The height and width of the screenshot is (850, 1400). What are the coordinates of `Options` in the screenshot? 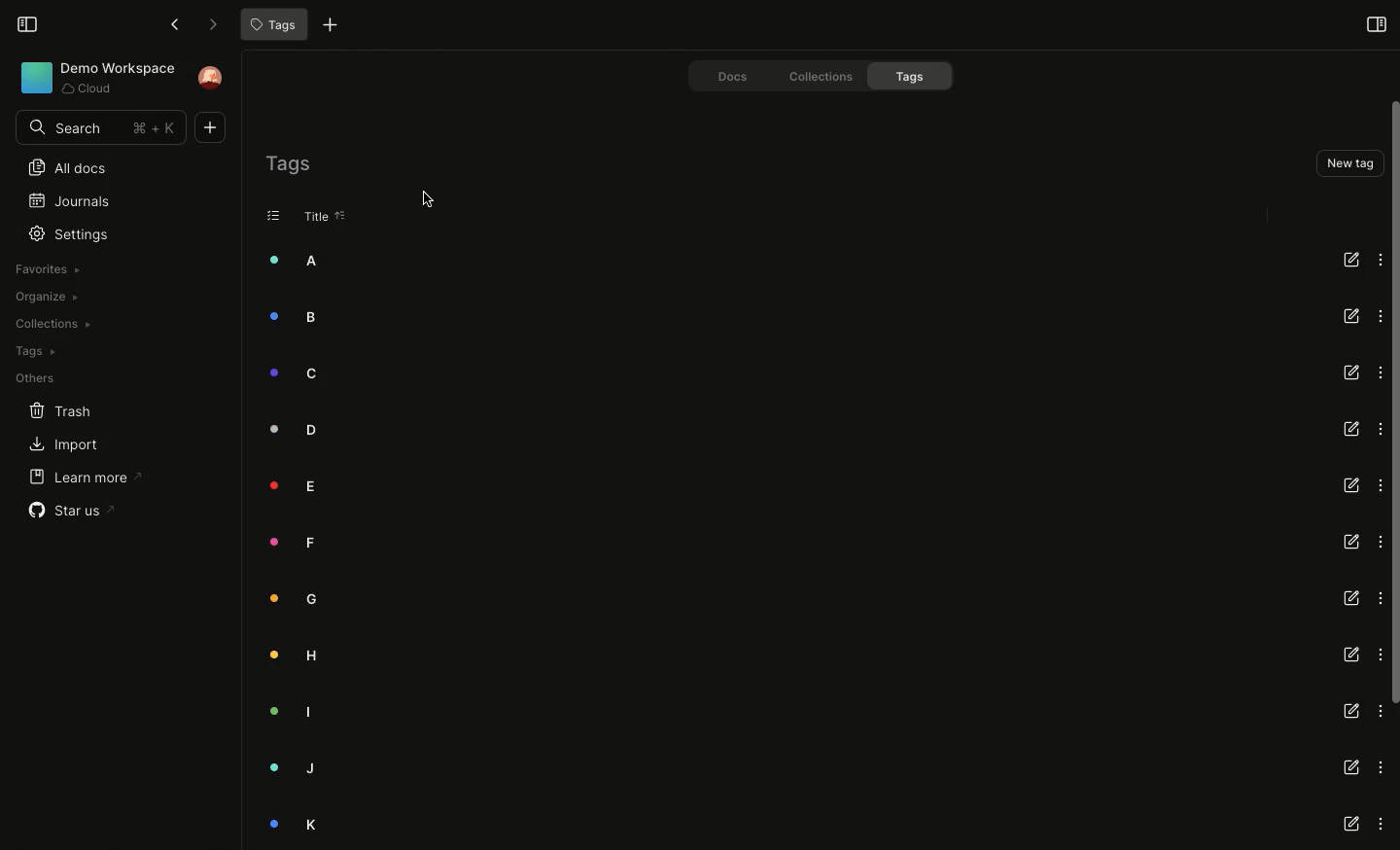 It's located at (1379, 541).